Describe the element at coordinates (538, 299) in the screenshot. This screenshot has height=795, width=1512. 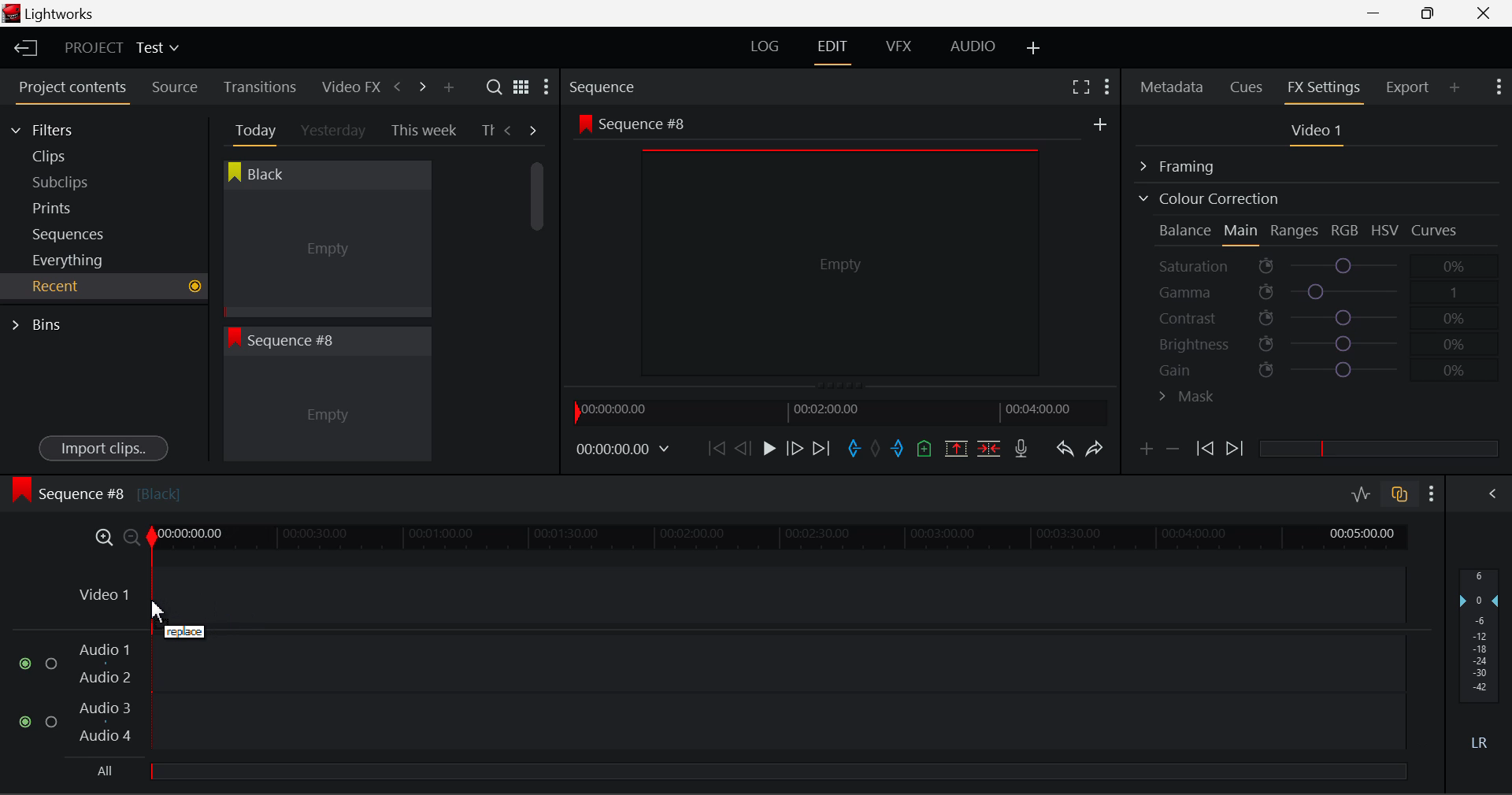
I see `Scroll Bar` at that location.